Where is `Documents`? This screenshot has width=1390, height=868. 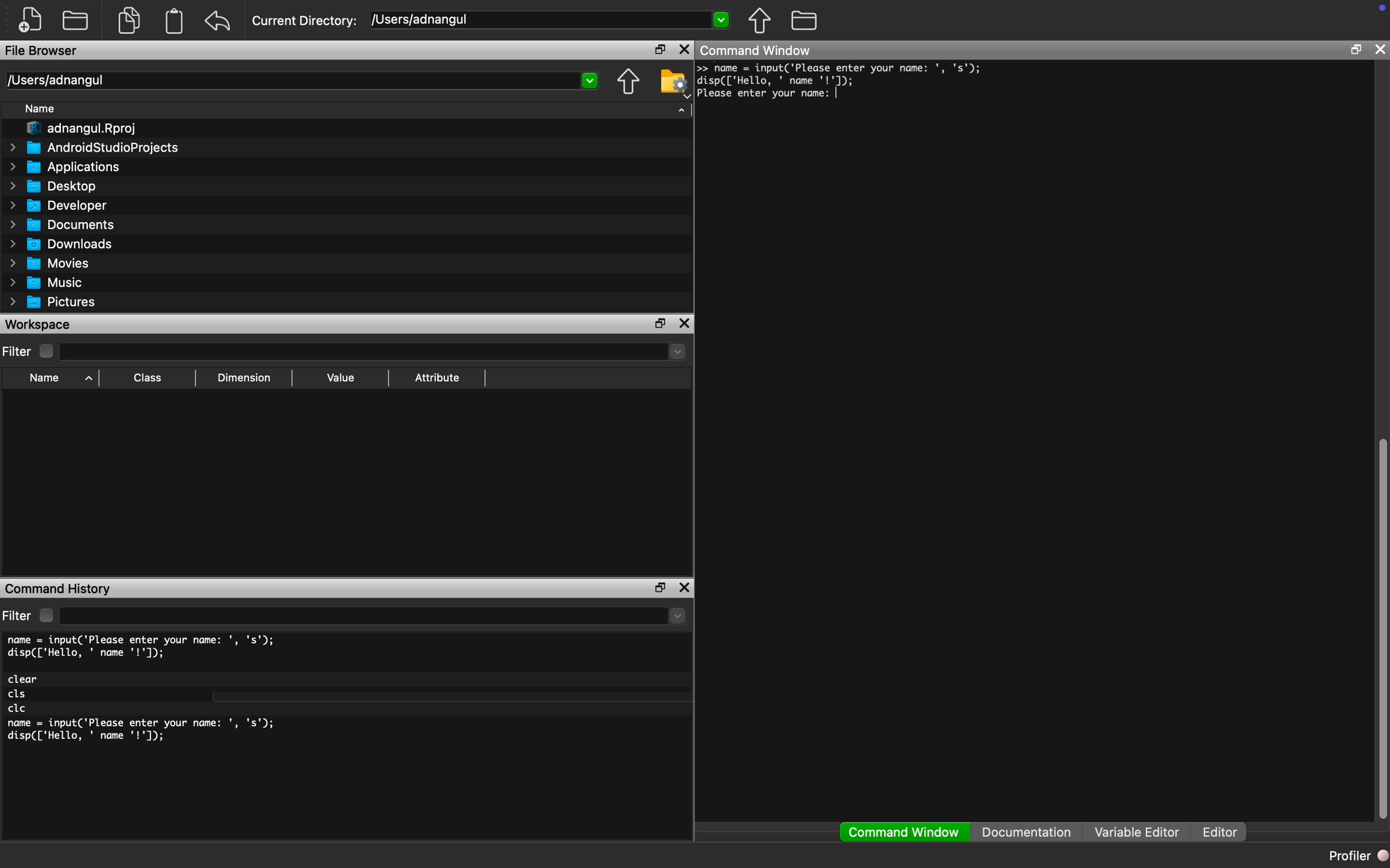
Documents is located at coordinates (65, 224).